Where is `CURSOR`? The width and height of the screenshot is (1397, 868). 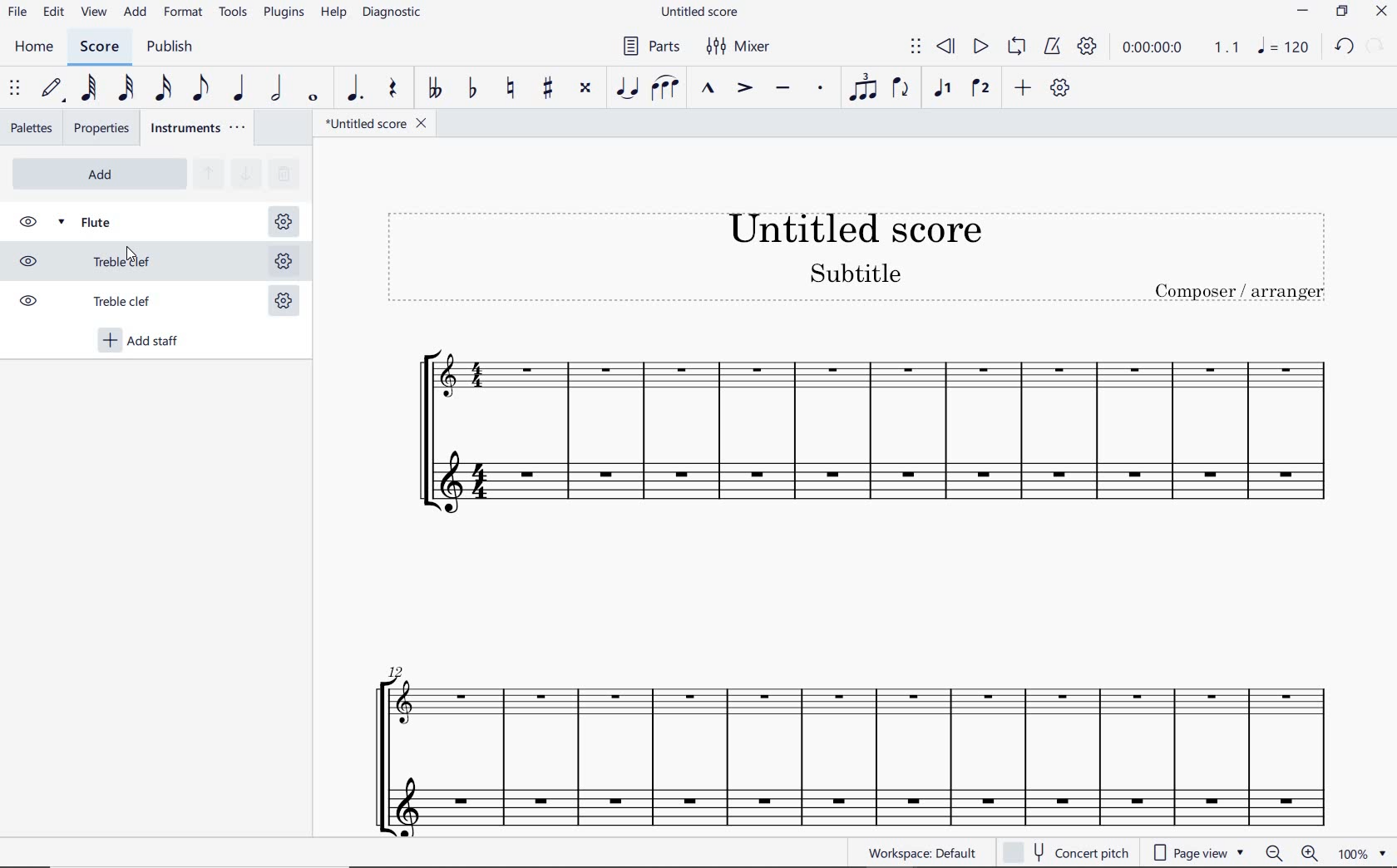 CURSOR is located at coordinates (136, 258).